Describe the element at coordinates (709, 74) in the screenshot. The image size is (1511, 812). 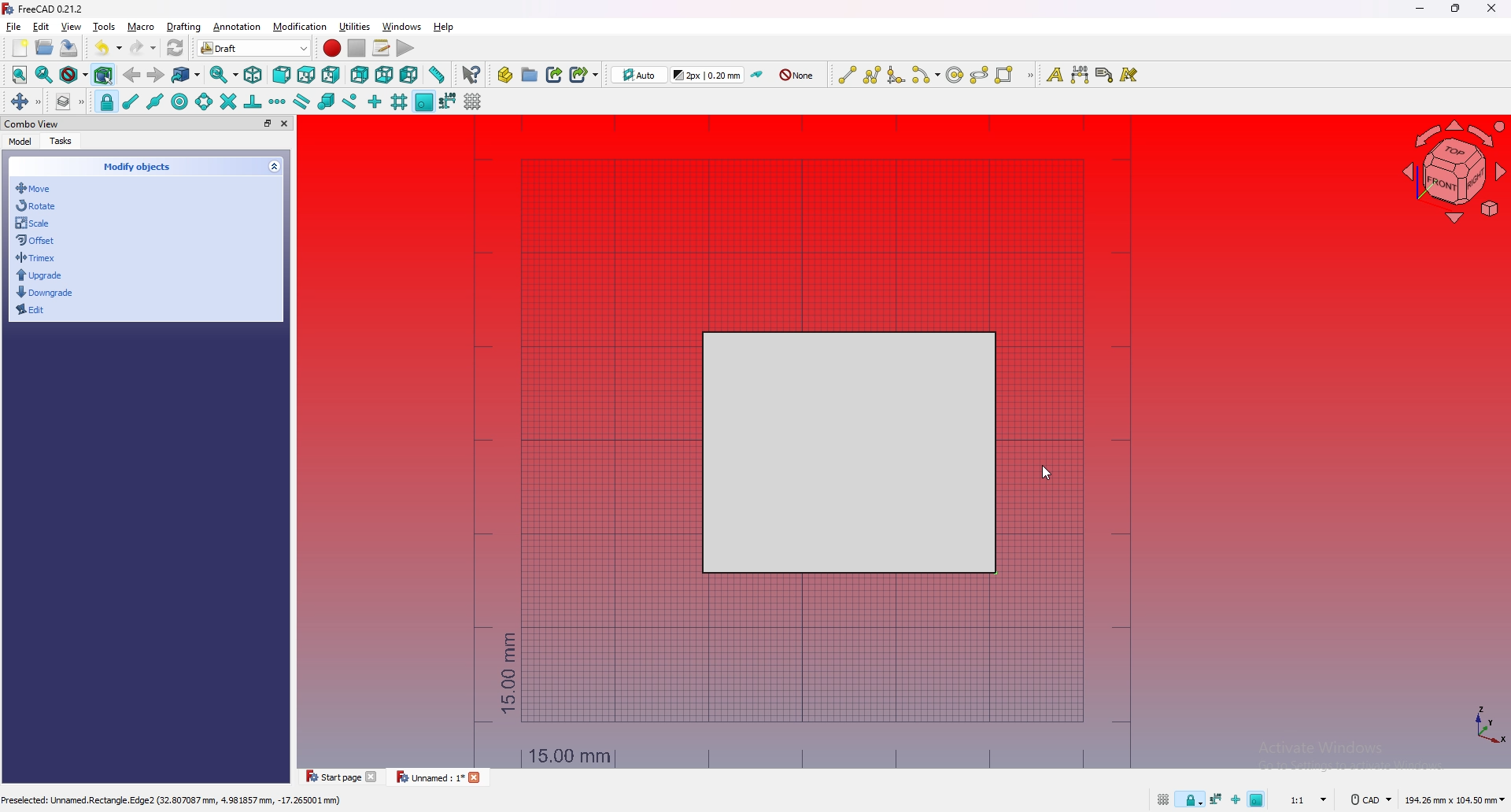
I see `change default style for new objects` at that location.